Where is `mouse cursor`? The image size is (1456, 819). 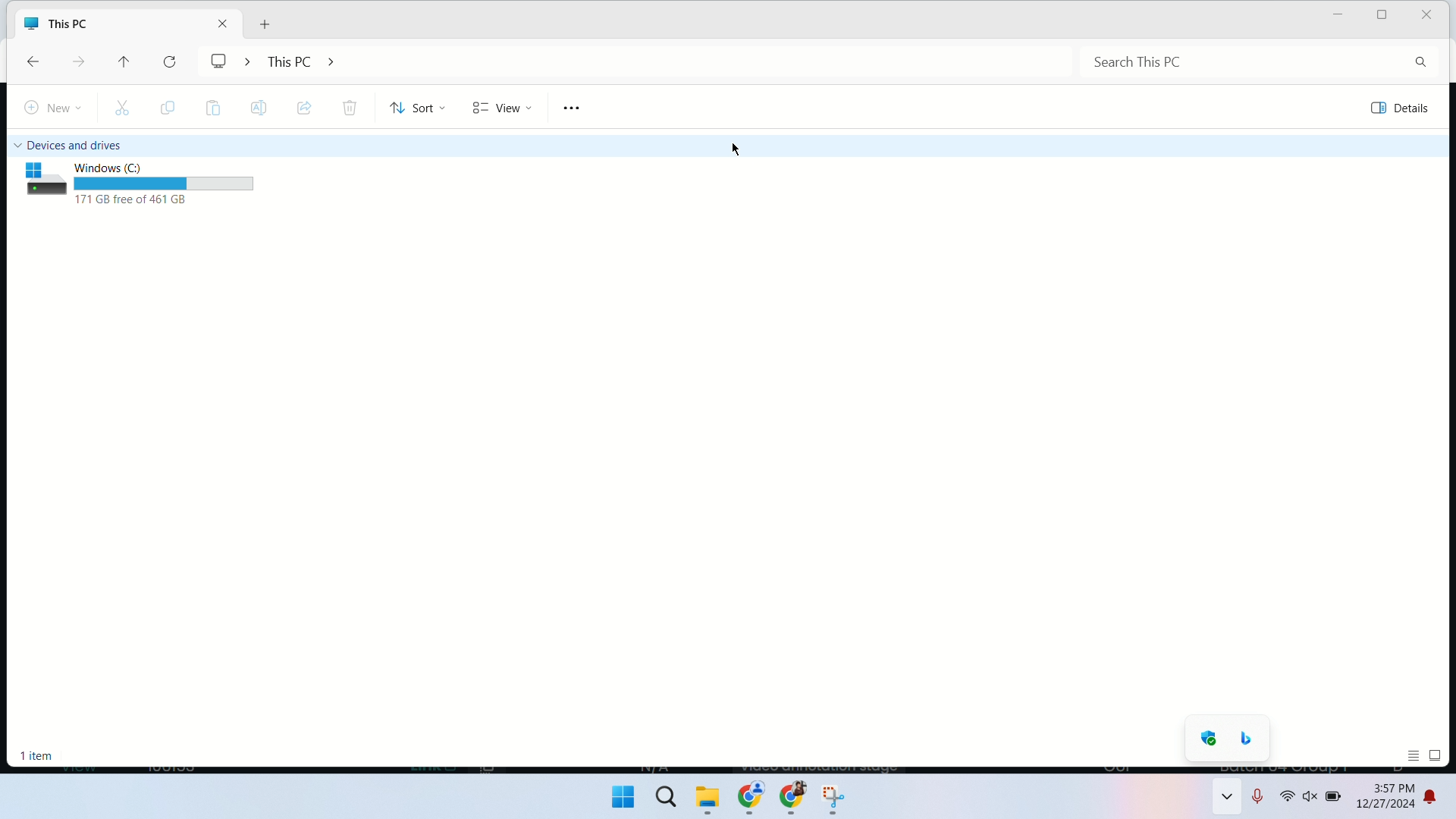
mouse cursor is located at coordinates (736, 148).